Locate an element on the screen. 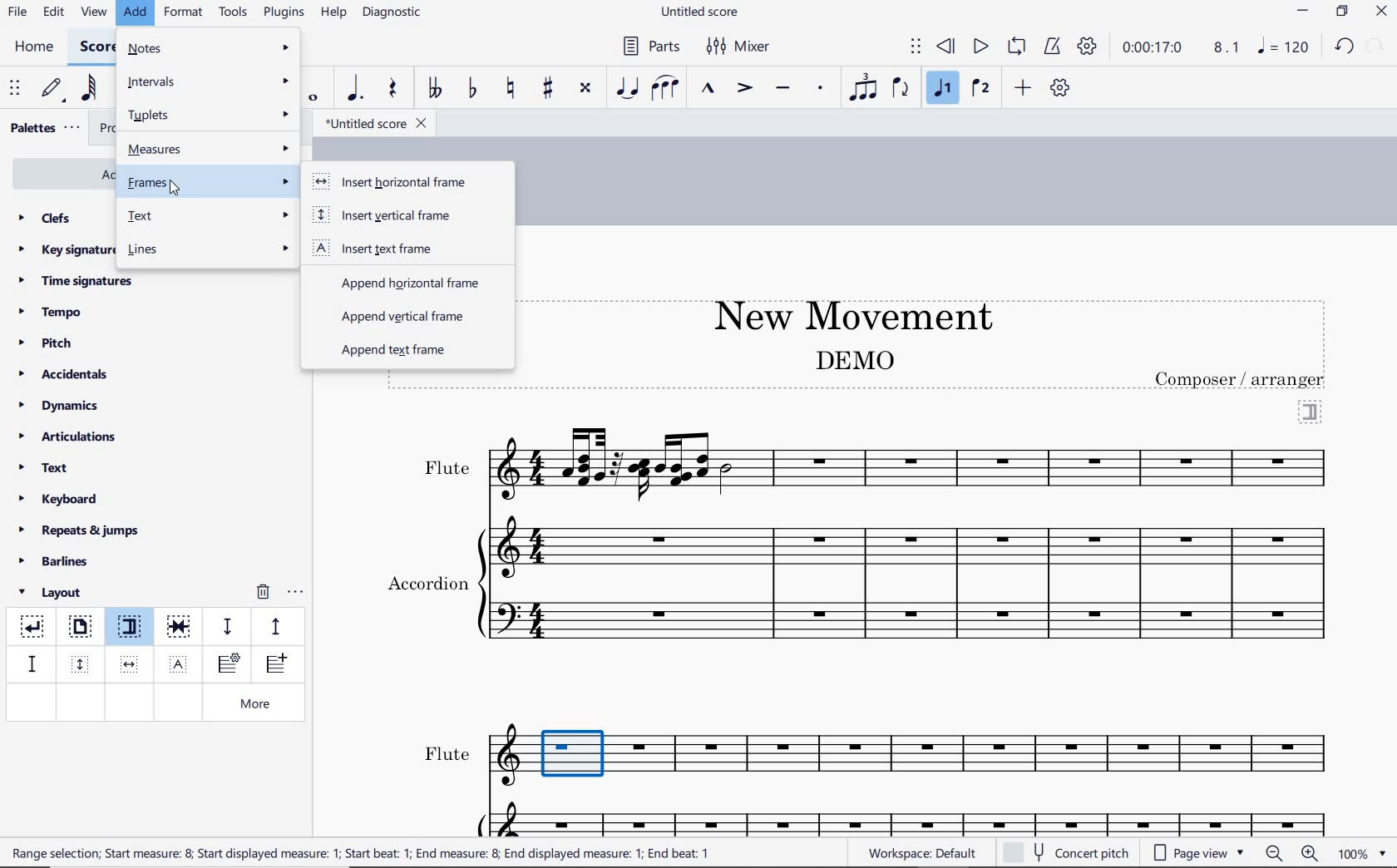 The image size is (1397, 868). select to move is located at coordinates (916, 47).